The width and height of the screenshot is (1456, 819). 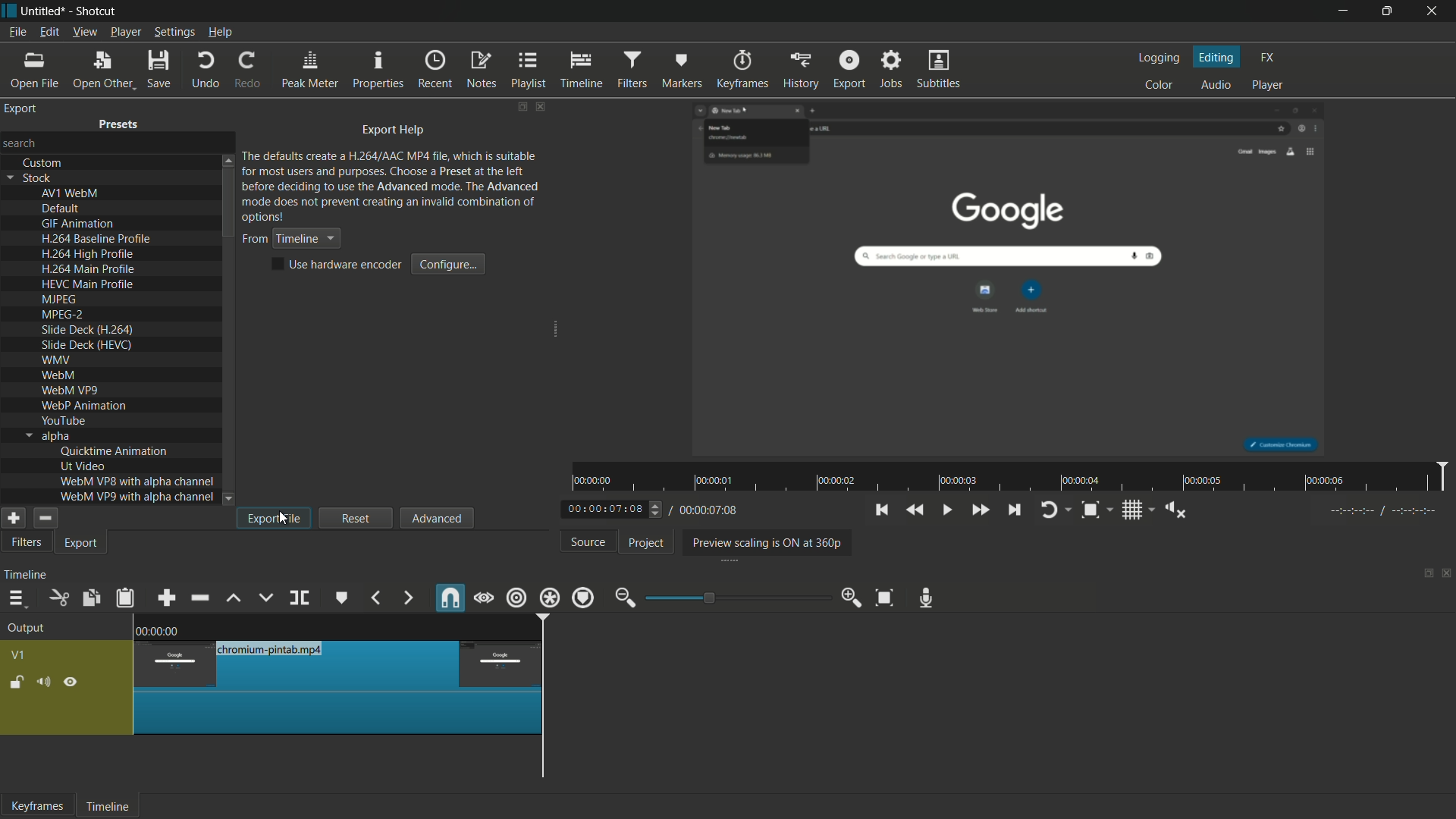 I want to click on adjustment bar, so click(x=739, y=598).